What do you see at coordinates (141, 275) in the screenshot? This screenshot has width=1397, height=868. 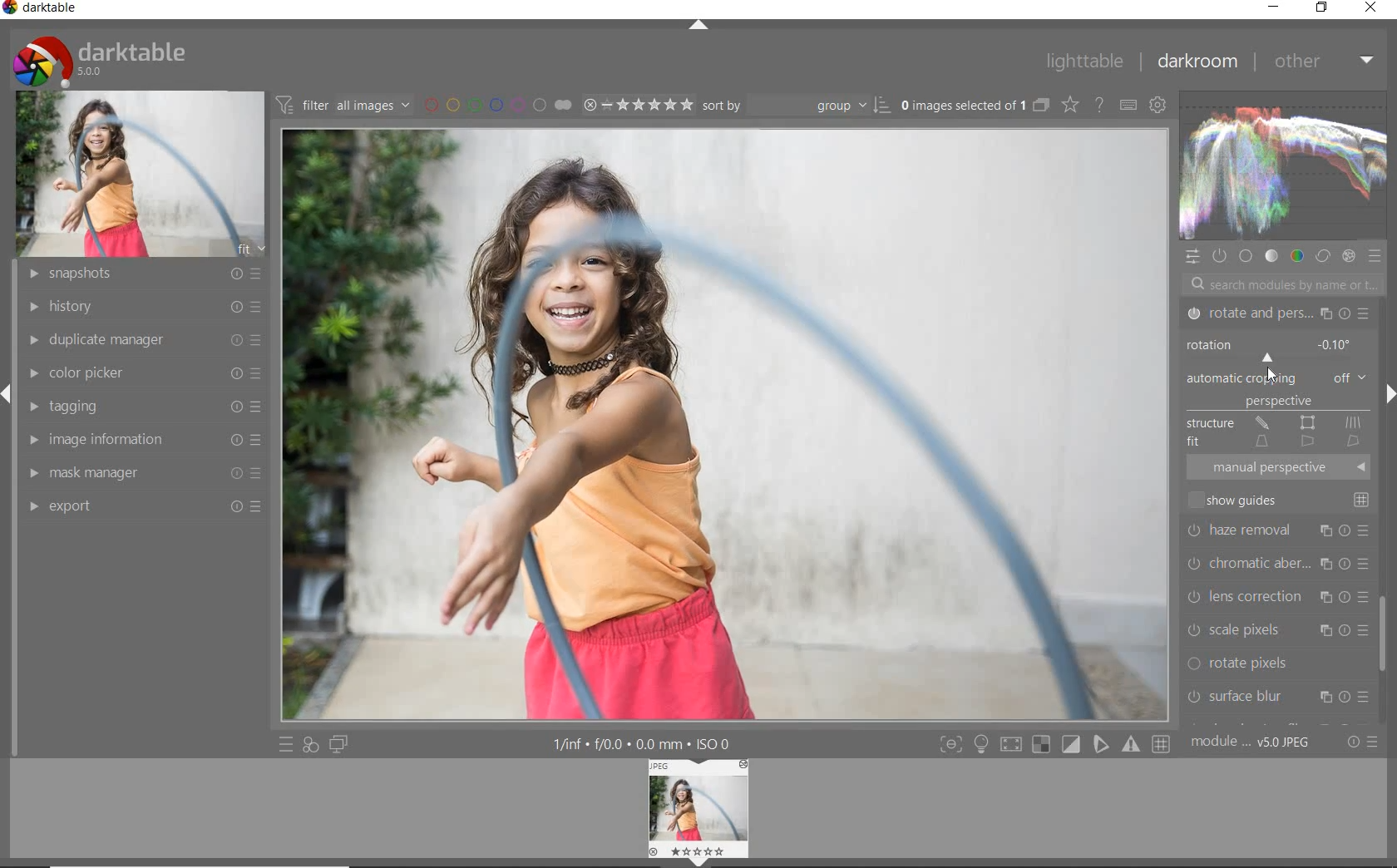 I see `snapshots` at bounding box center [141, 275].